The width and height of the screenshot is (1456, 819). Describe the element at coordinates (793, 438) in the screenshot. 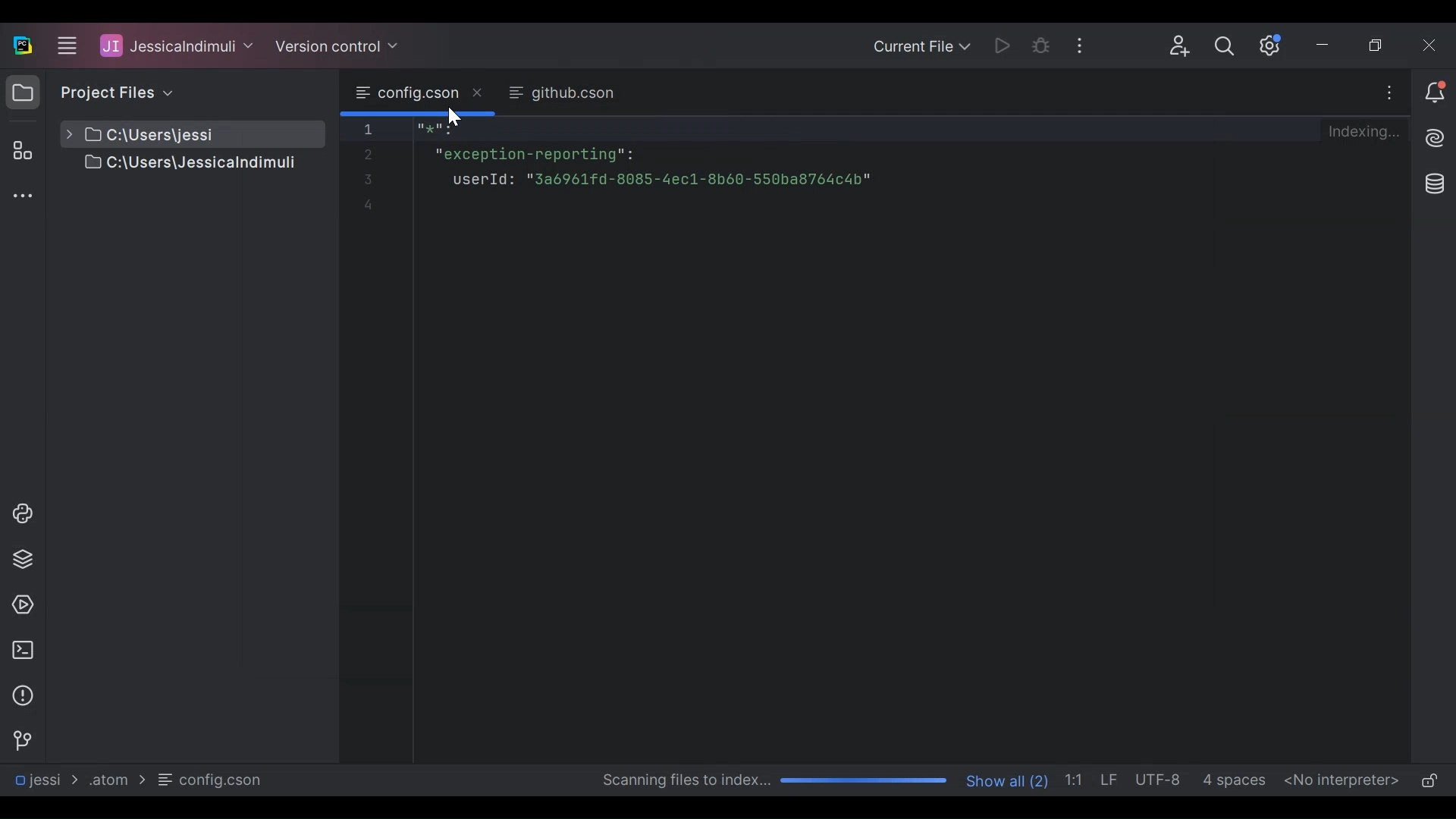

I see `Editor` at that location.